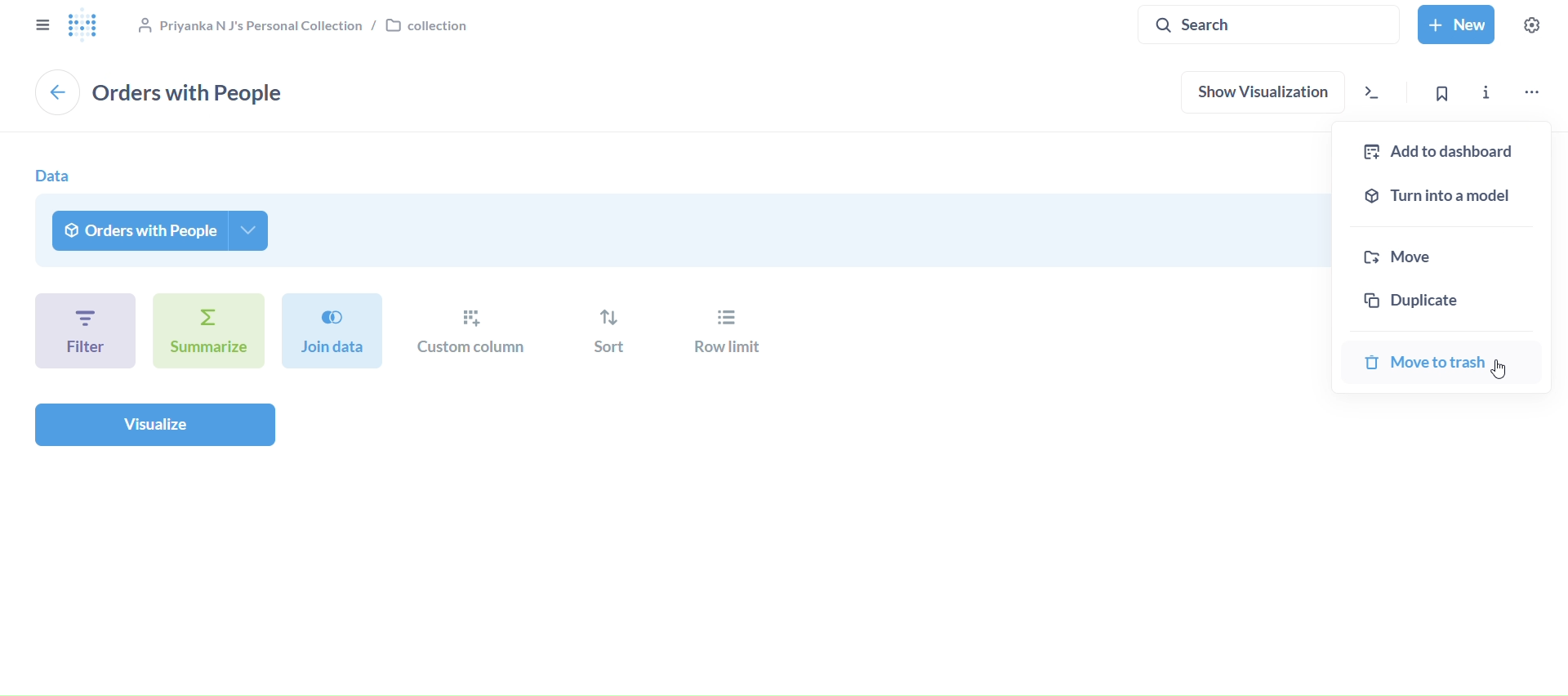 The width and height of the screenshot is (1568, 696). What do you see at coordinates (89, 28) in the screenshot?
I see `logo` at bounding box center [89, 28].